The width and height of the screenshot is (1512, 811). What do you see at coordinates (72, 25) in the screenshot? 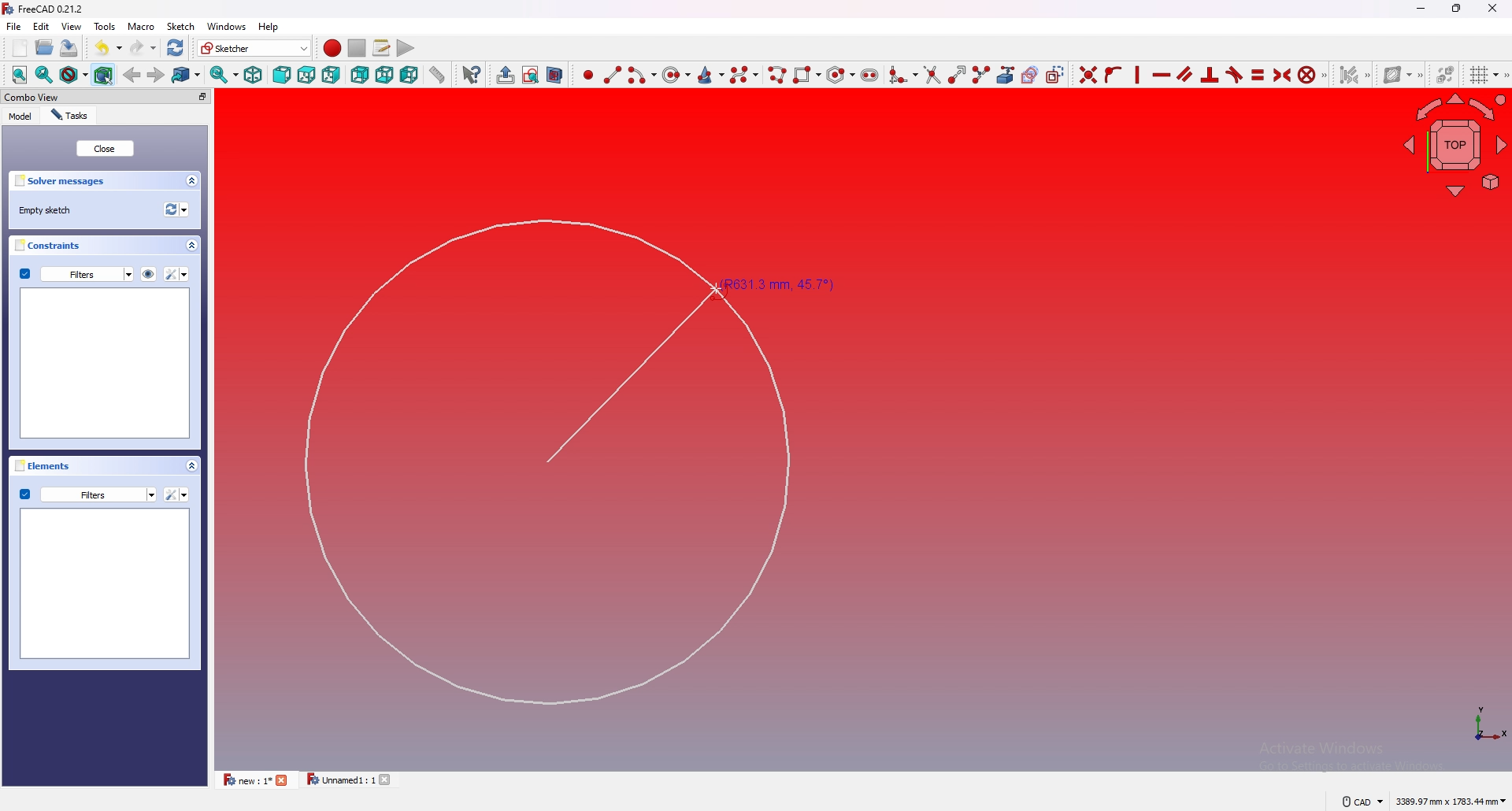
I see `view` at bounding box center [72, 25].